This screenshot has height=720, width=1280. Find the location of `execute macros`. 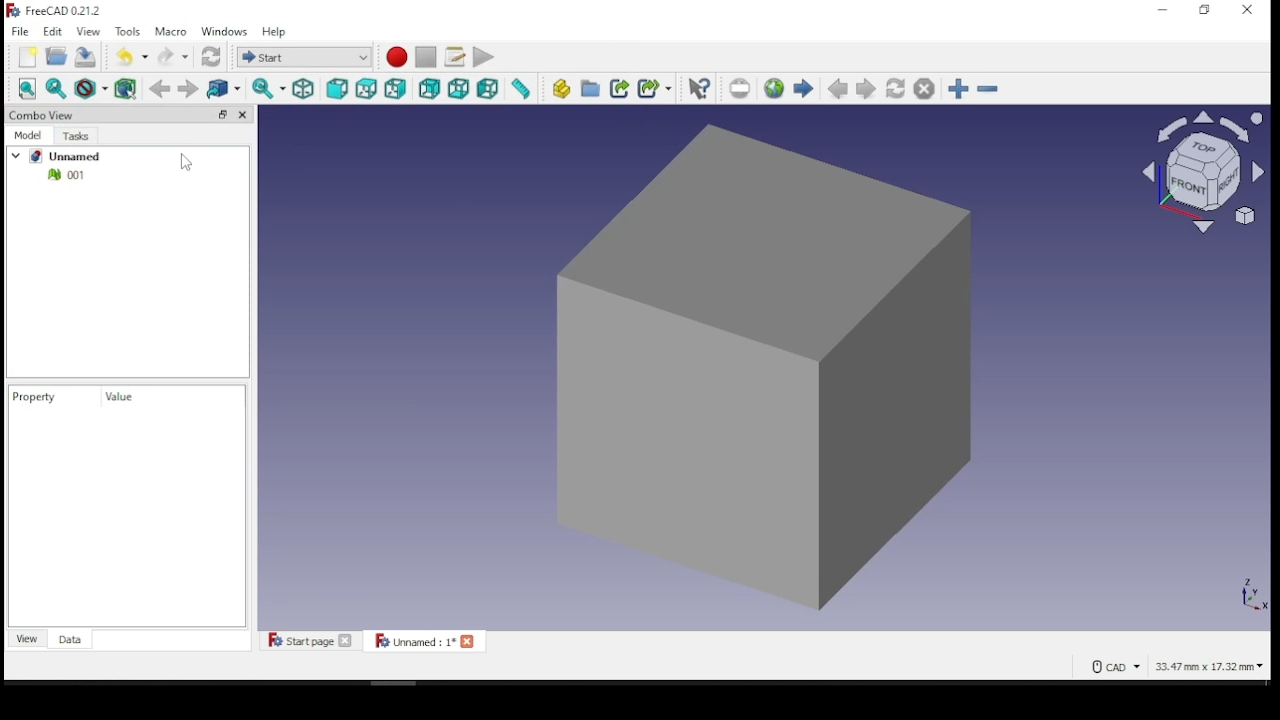

execute macros is located at coordinates (482, 58).